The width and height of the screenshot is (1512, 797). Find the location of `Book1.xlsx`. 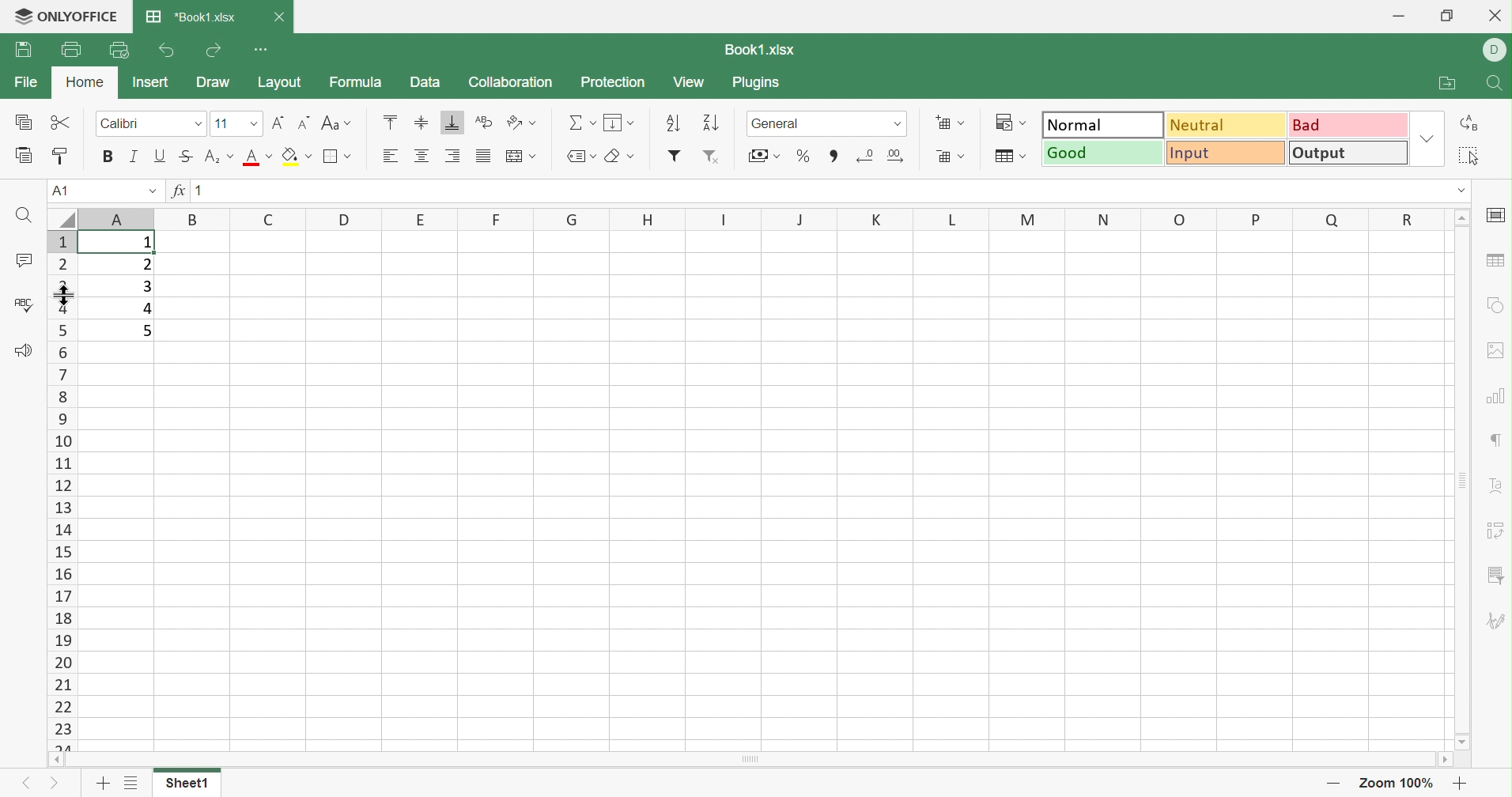

Book1.xlsx is located at coordinates (765, 47).